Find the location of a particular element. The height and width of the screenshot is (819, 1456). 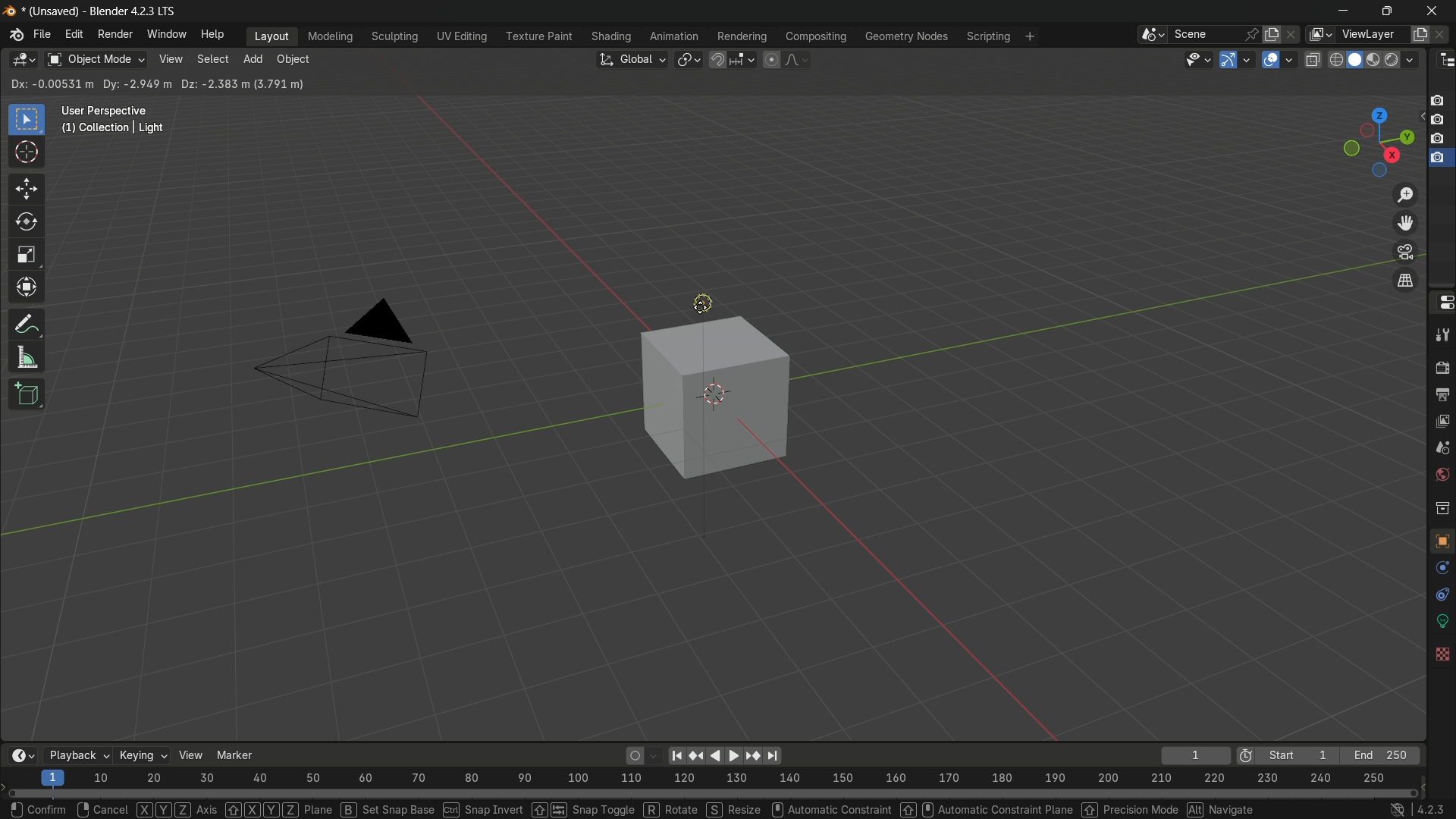

editor type is located at coordinates (24, 60).